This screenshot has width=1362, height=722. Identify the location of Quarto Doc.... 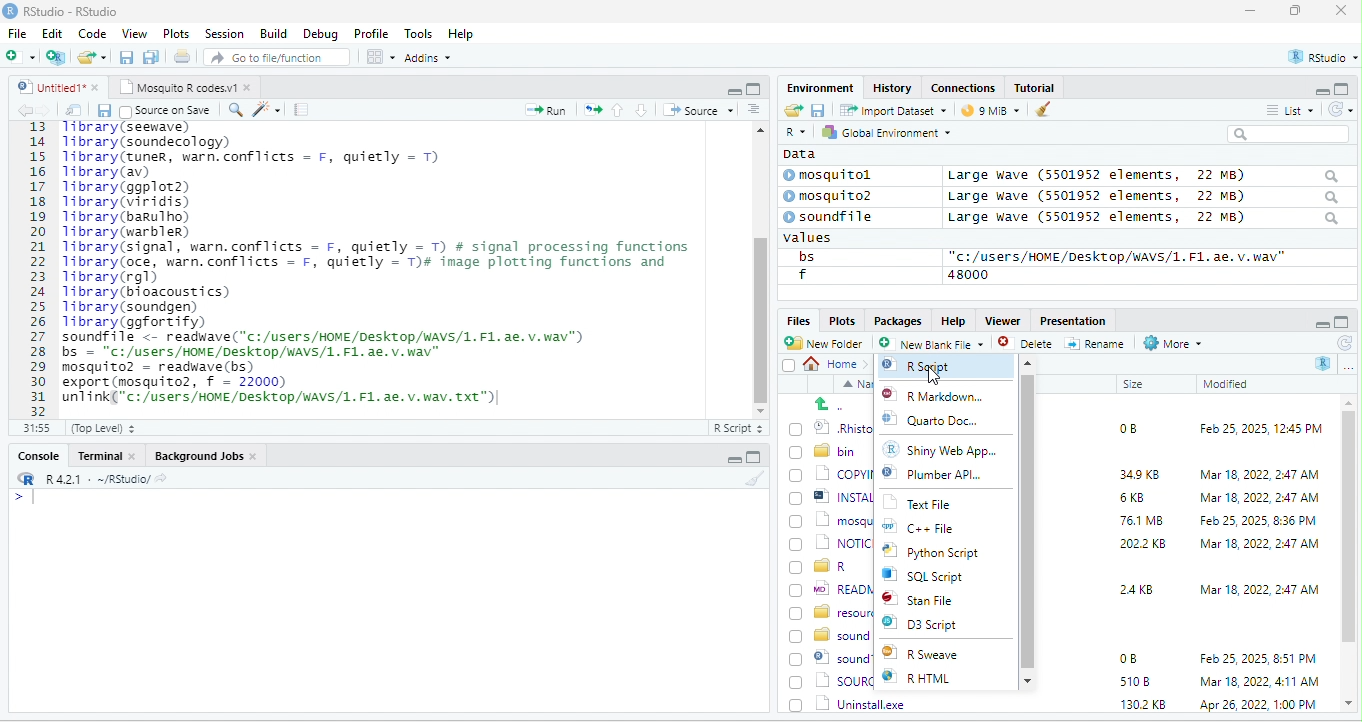
(948, 422).